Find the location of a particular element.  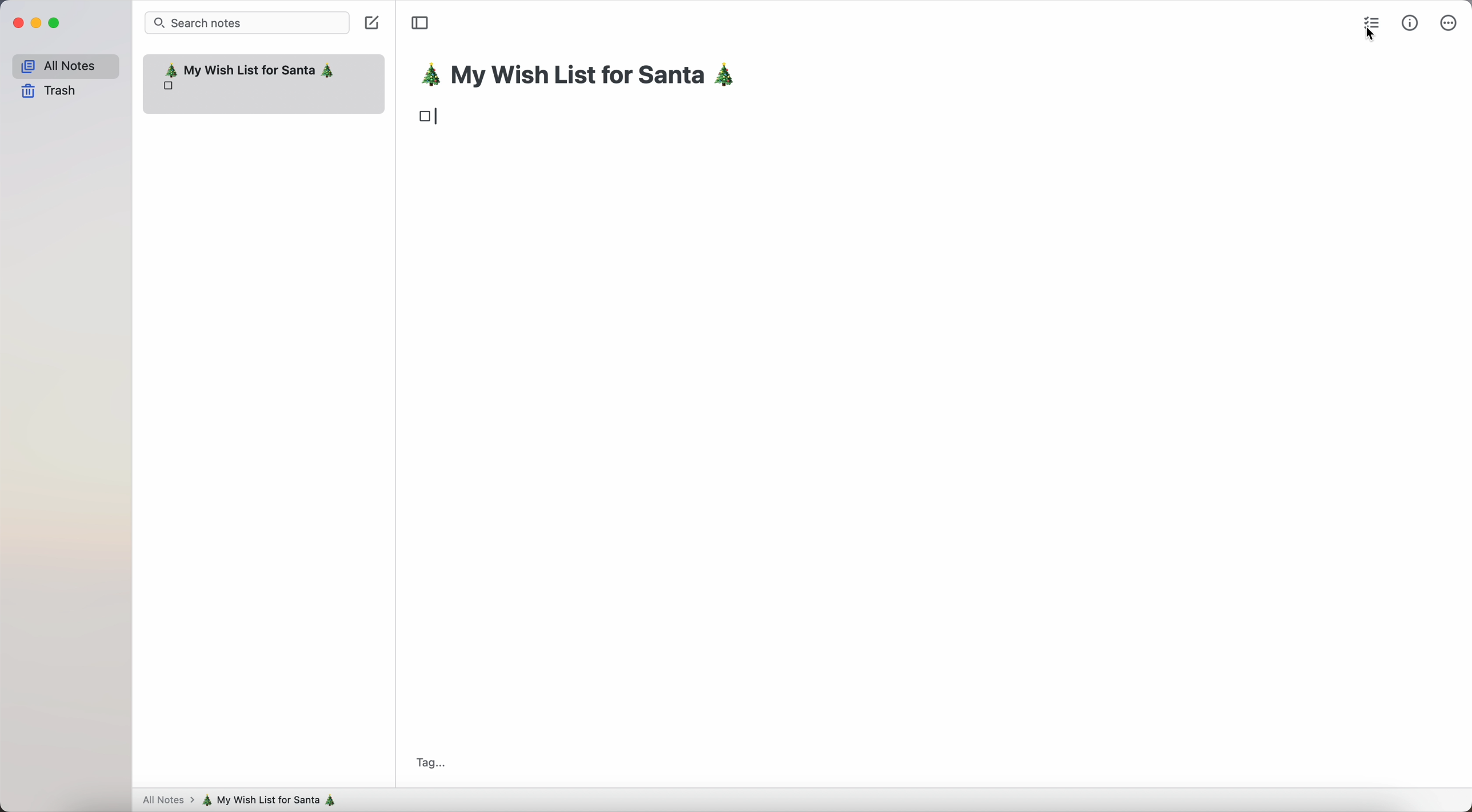

create note is located at coordinates (374, 25).